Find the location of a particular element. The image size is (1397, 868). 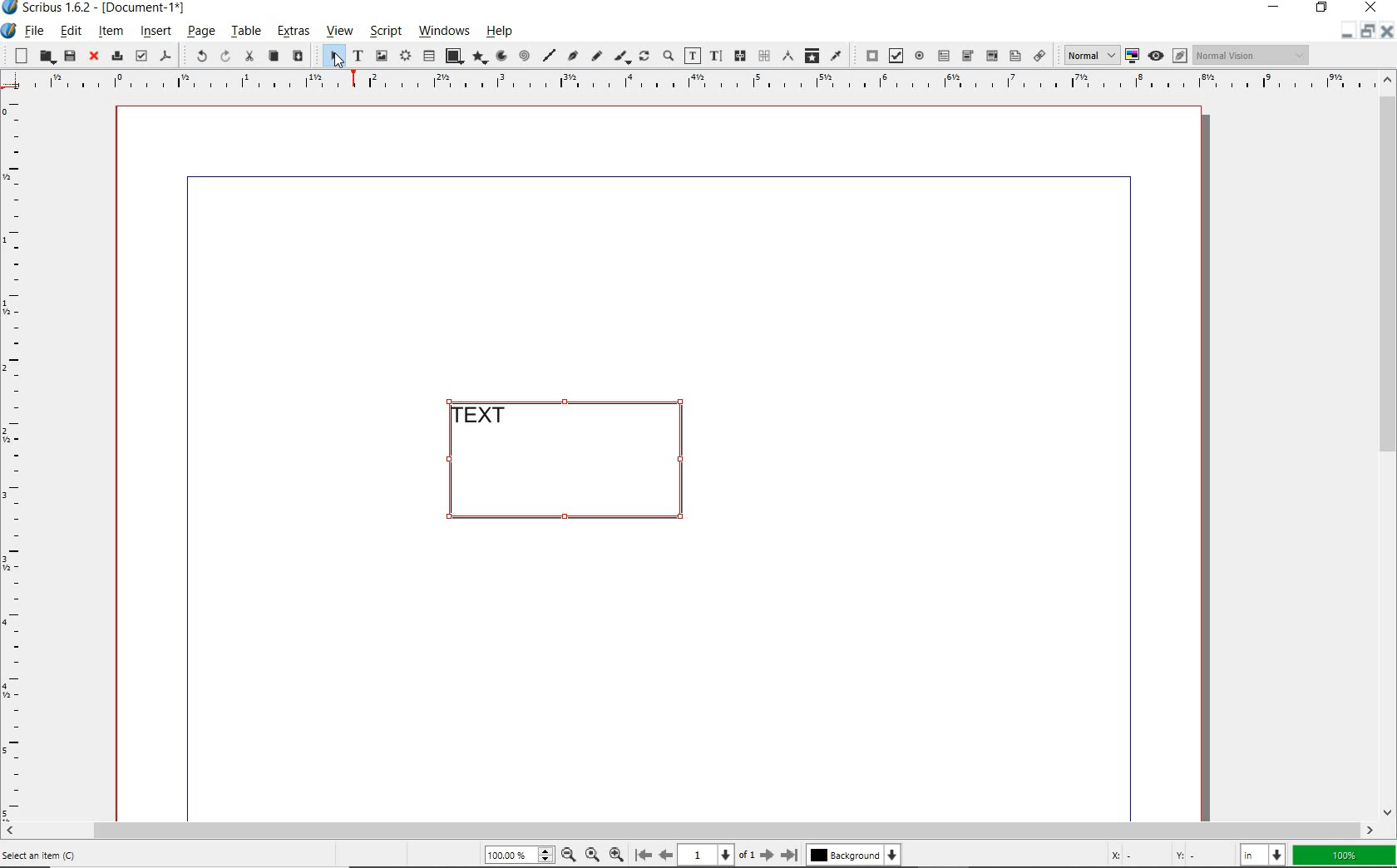

zoom factor is located at coordinates (1345, 855).